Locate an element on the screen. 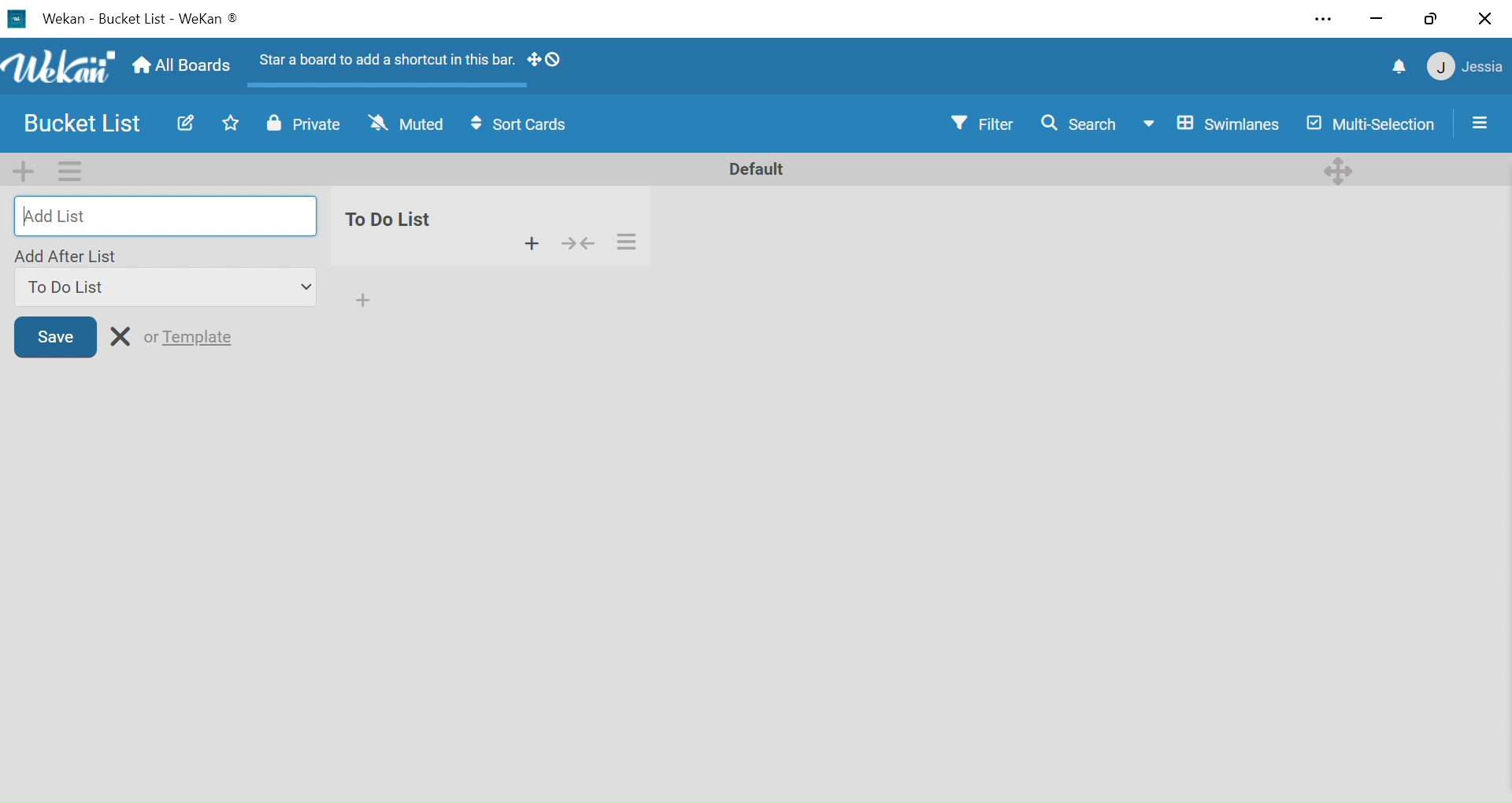 The image size is (1512, 803). minimize is located at coordinates (1377, 20).